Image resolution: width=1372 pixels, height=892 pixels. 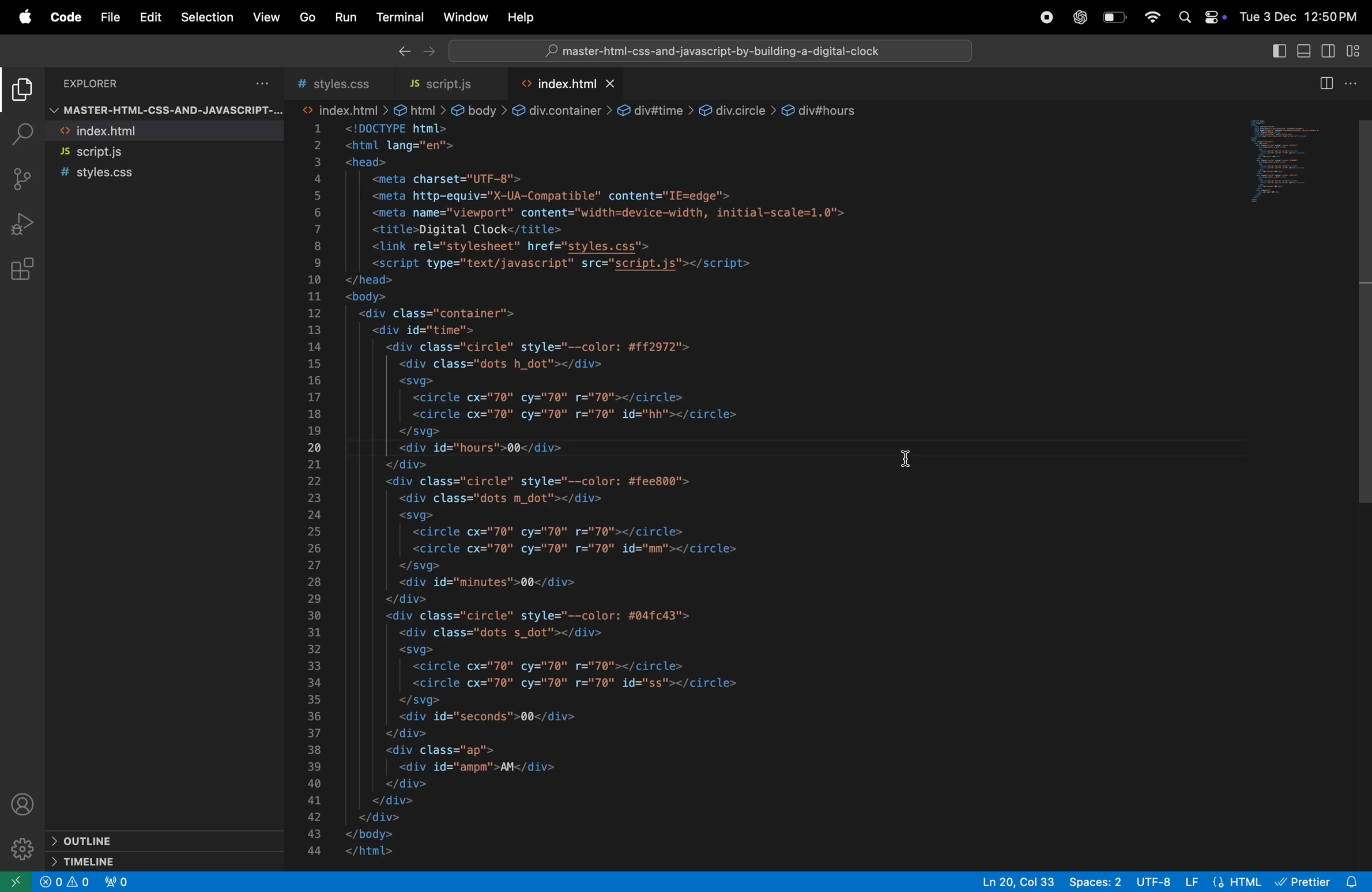 I want to click on script.js, so click(x=168, y=153).